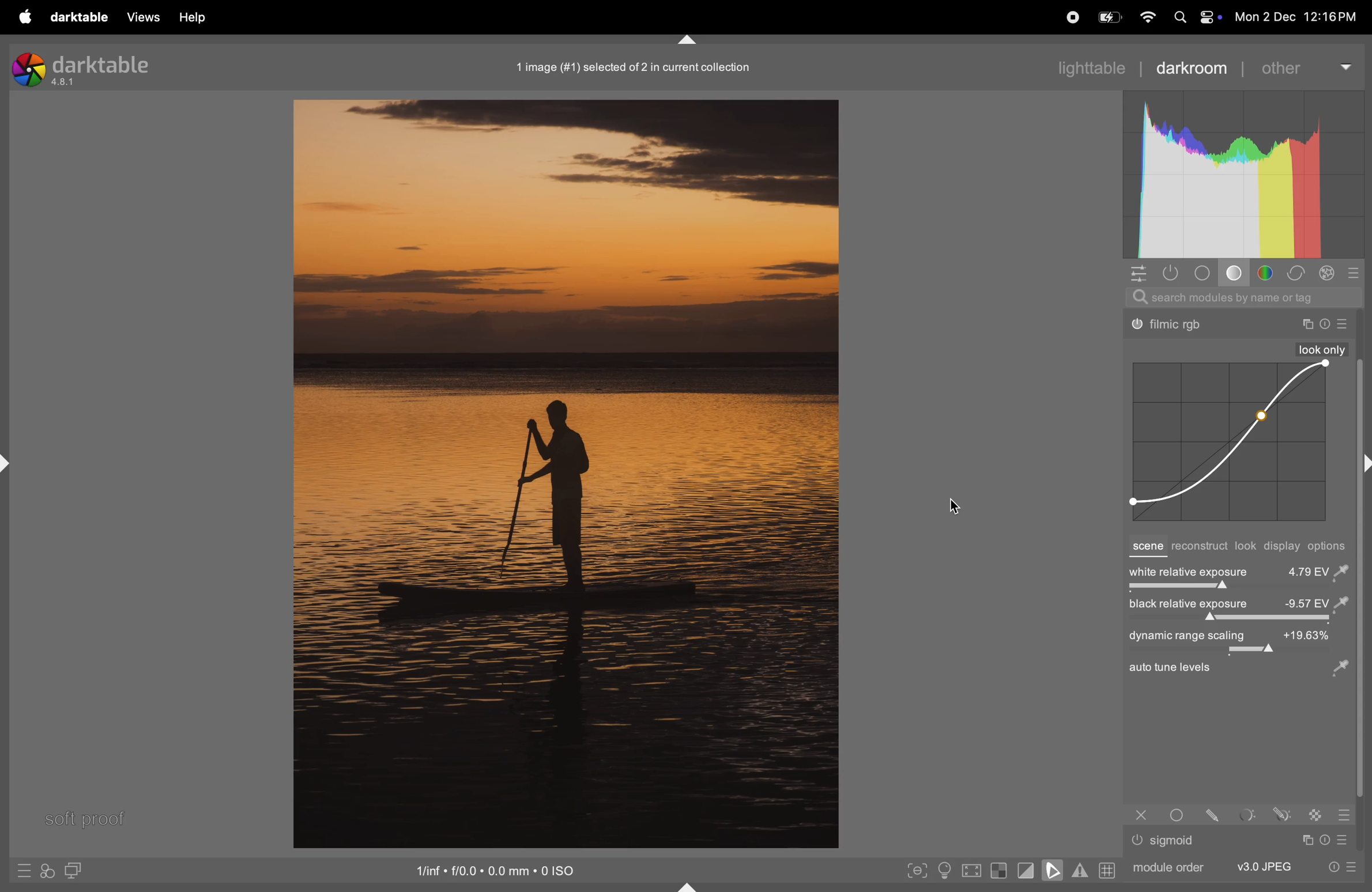 This screenshot has height=892, width=1372. Describe the element at coordinates (1136, 273) in the screenshot. I see `quick access panel` at that location.